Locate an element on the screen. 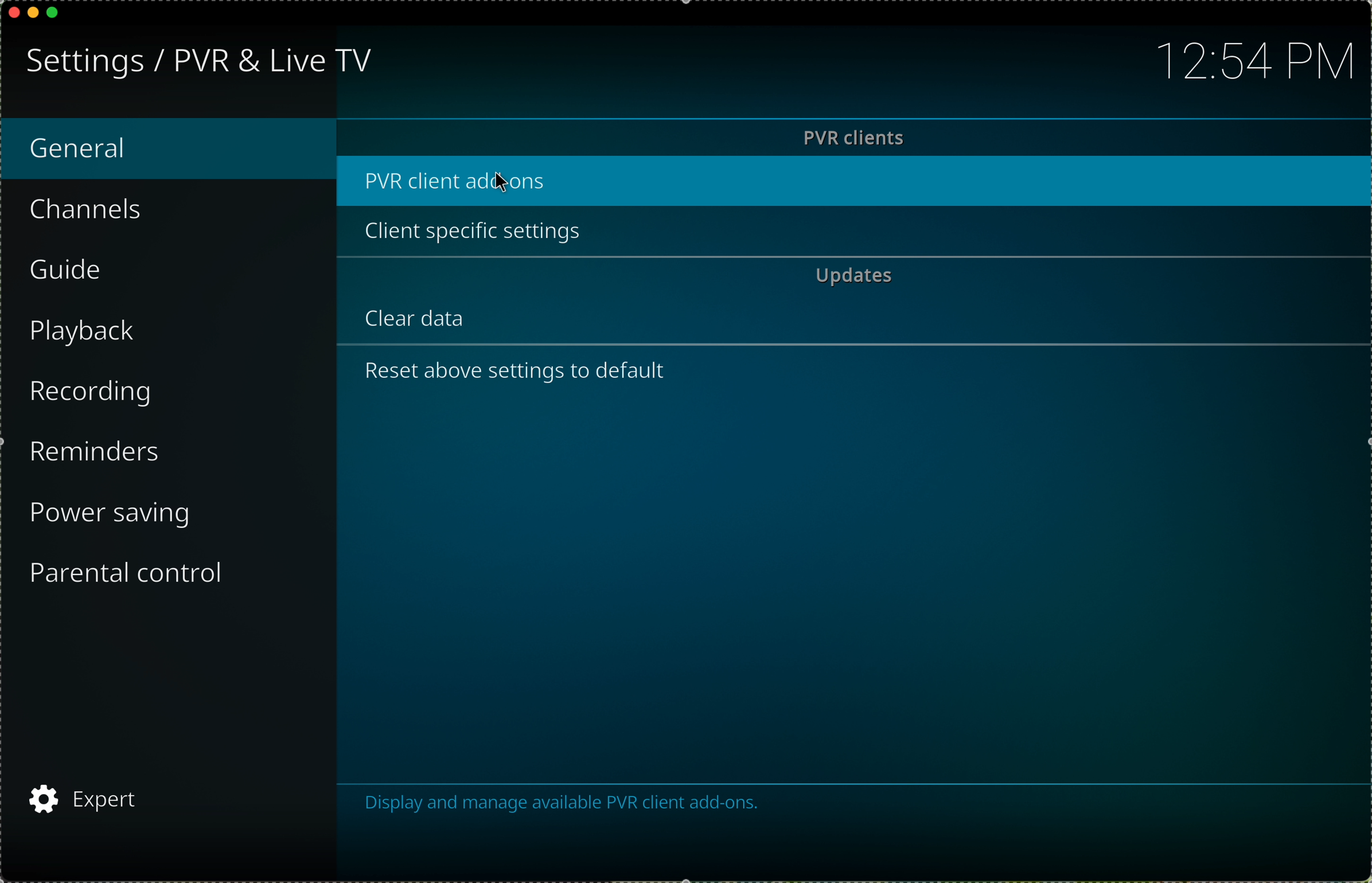 The height and width of the screenshot is (883, 1372). close app is located at coordinates (12, 10).